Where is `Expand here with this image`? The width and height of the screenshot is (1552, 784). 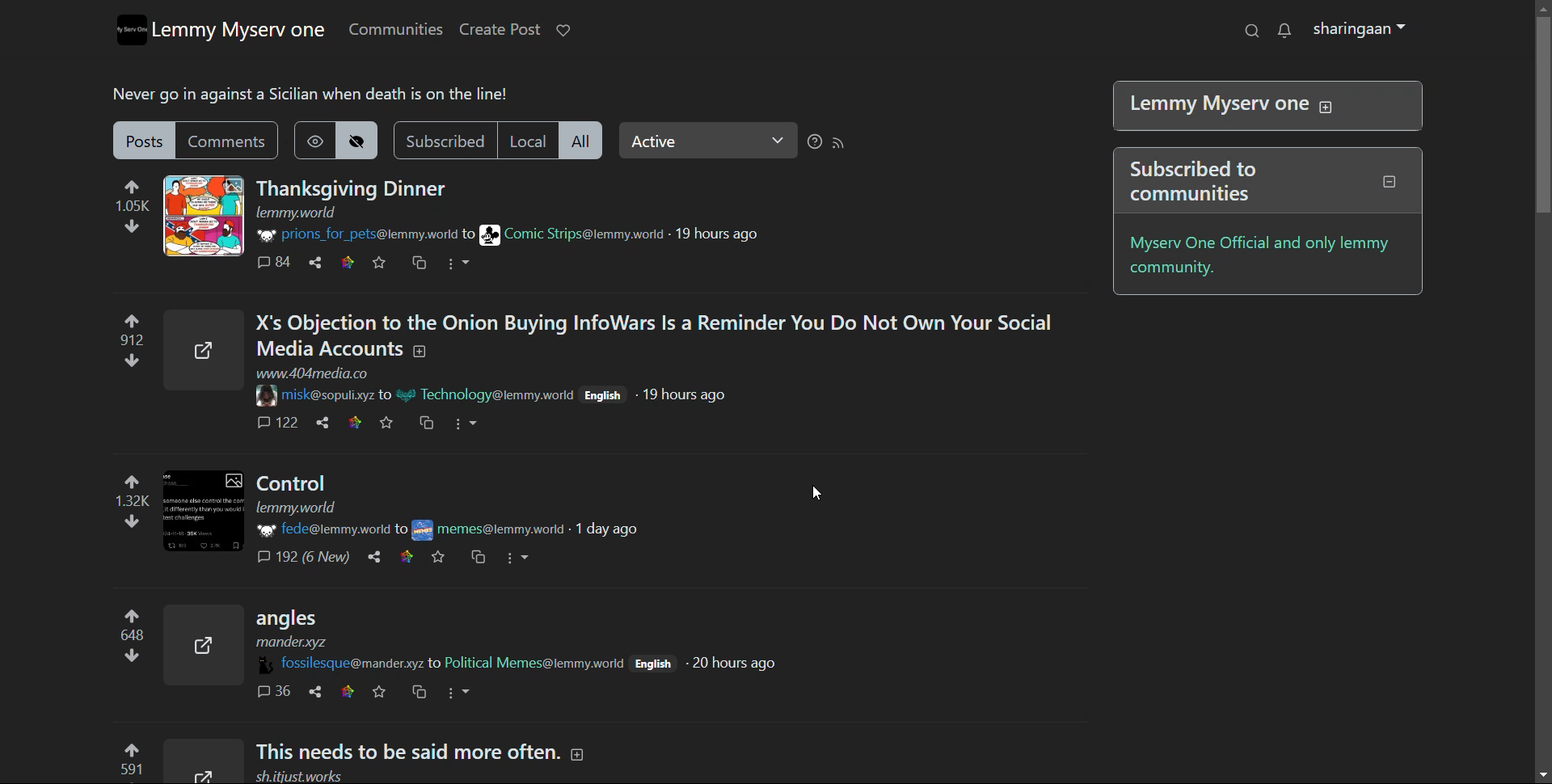
Expand here with this image is located at coordinates (199, 647).